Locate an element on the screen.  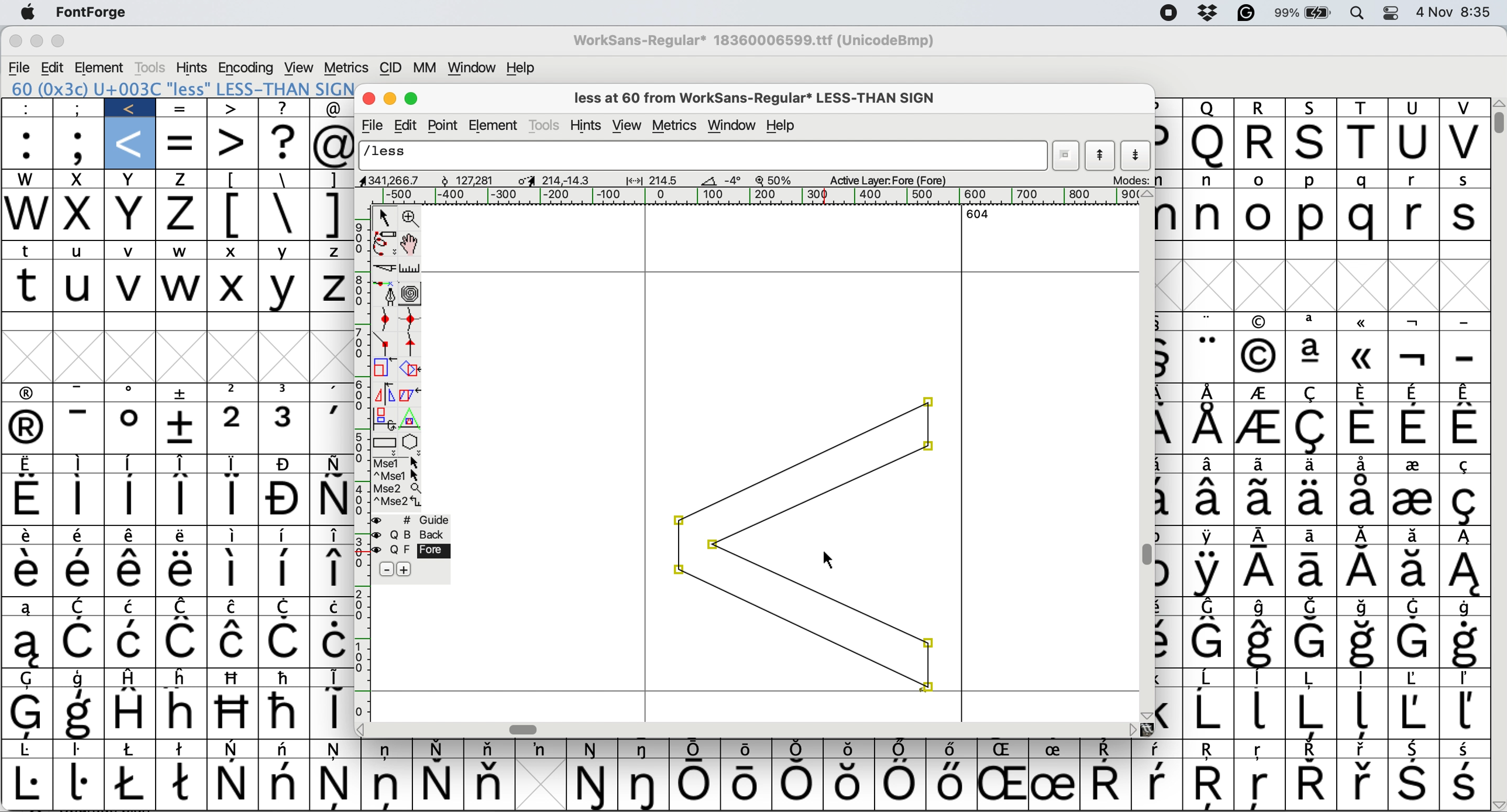
Symbol is located at coordinates (330, 391).